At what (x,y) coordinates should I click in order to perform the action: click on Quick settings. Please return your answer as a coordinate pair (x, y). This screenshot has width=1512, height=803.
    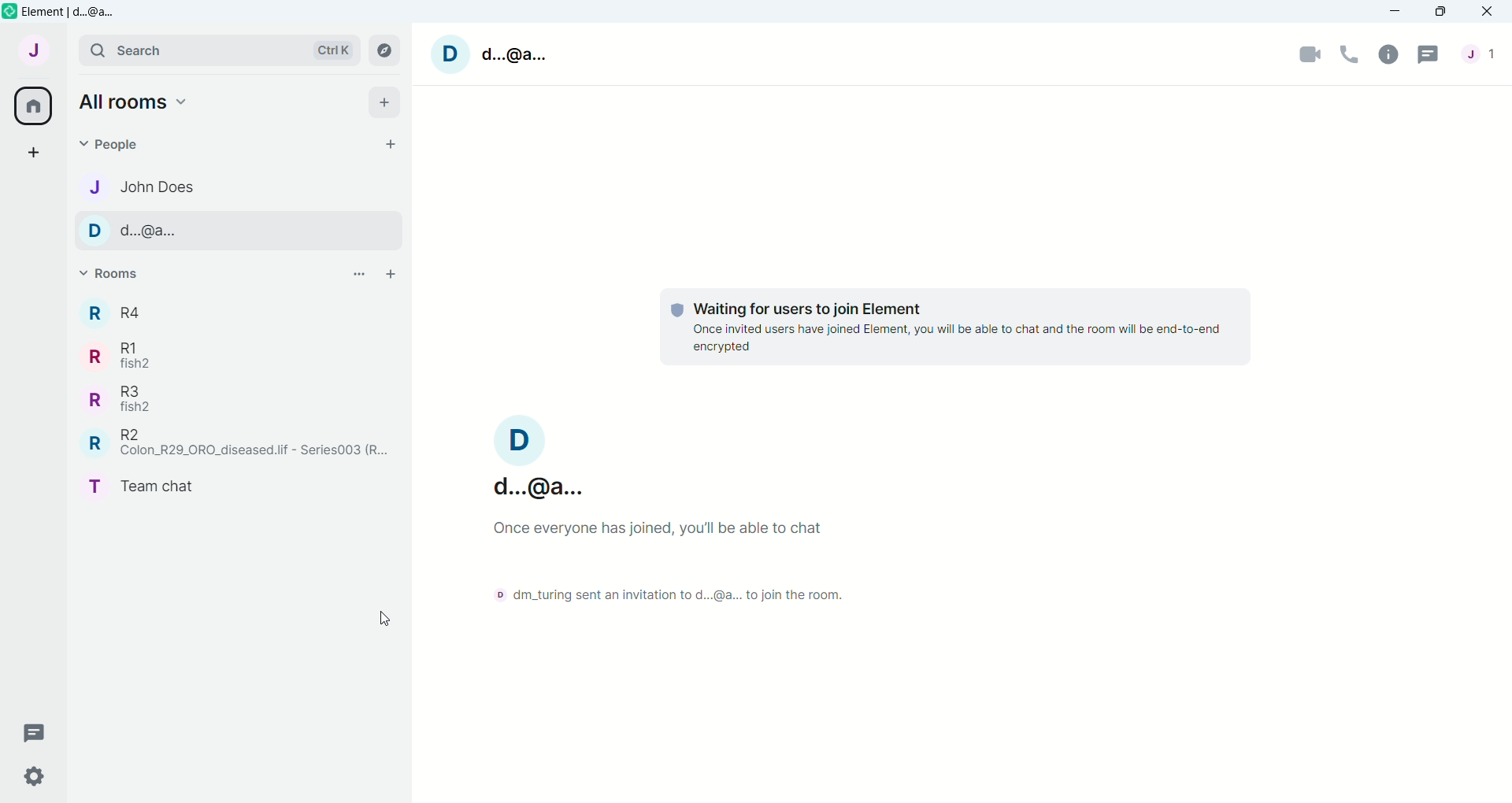
    Looking at the image, I should click on (24, 776).